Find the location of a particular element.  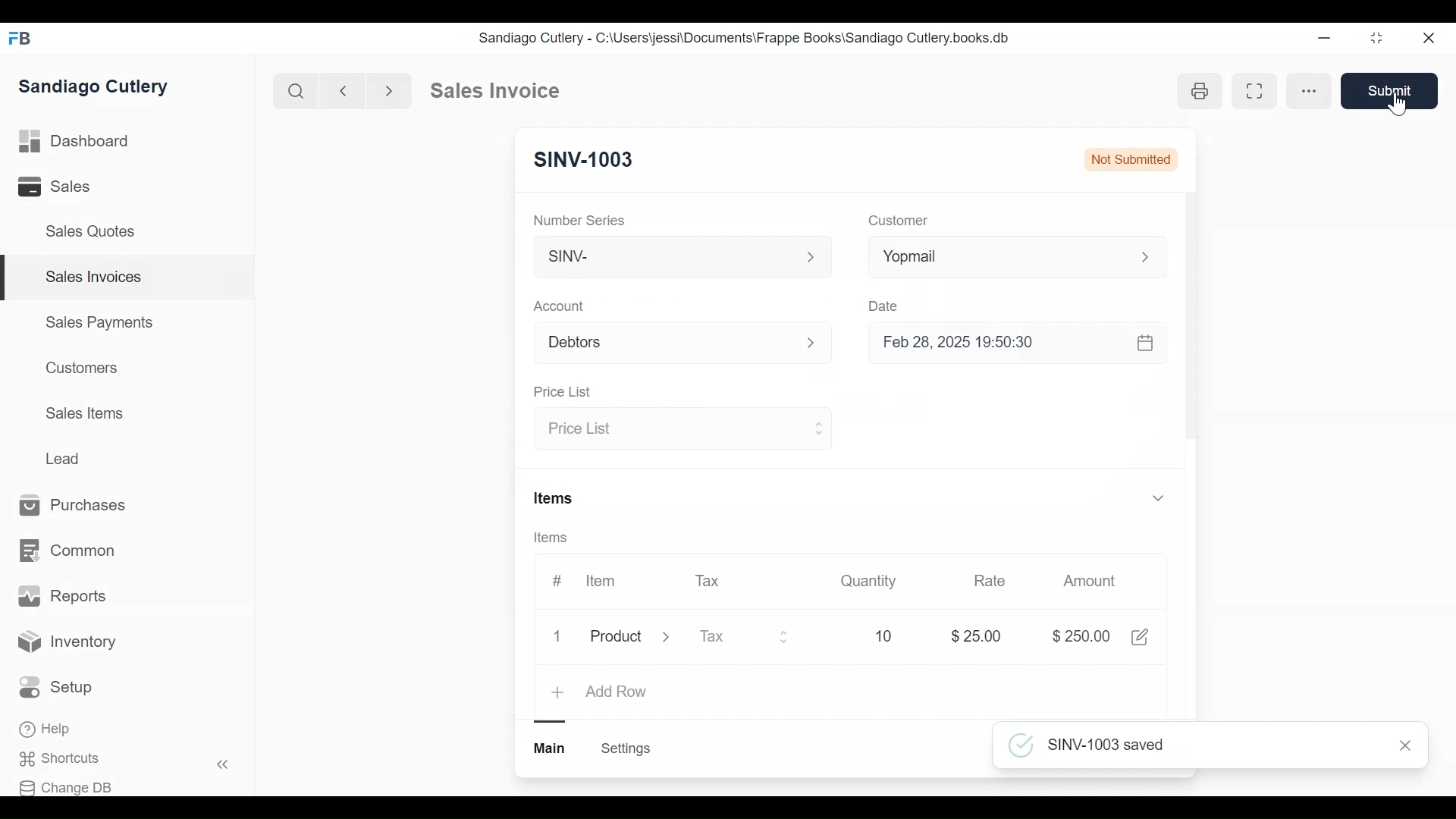

Sales Invoice is located at coordinates (494, 91).